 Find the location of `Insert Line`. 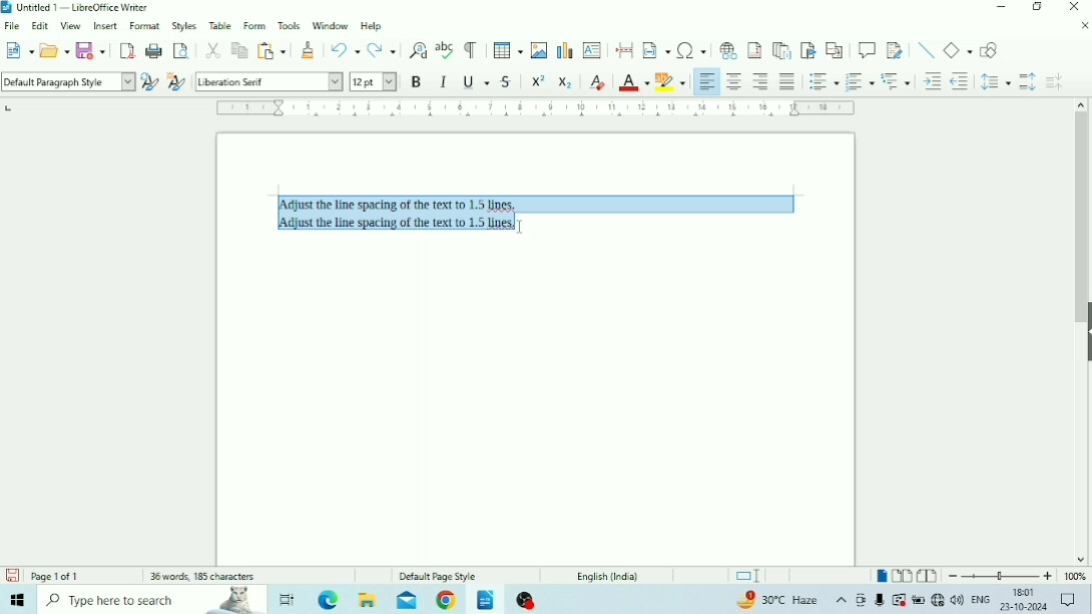

Insert Line is located at coordinates (925, 50).